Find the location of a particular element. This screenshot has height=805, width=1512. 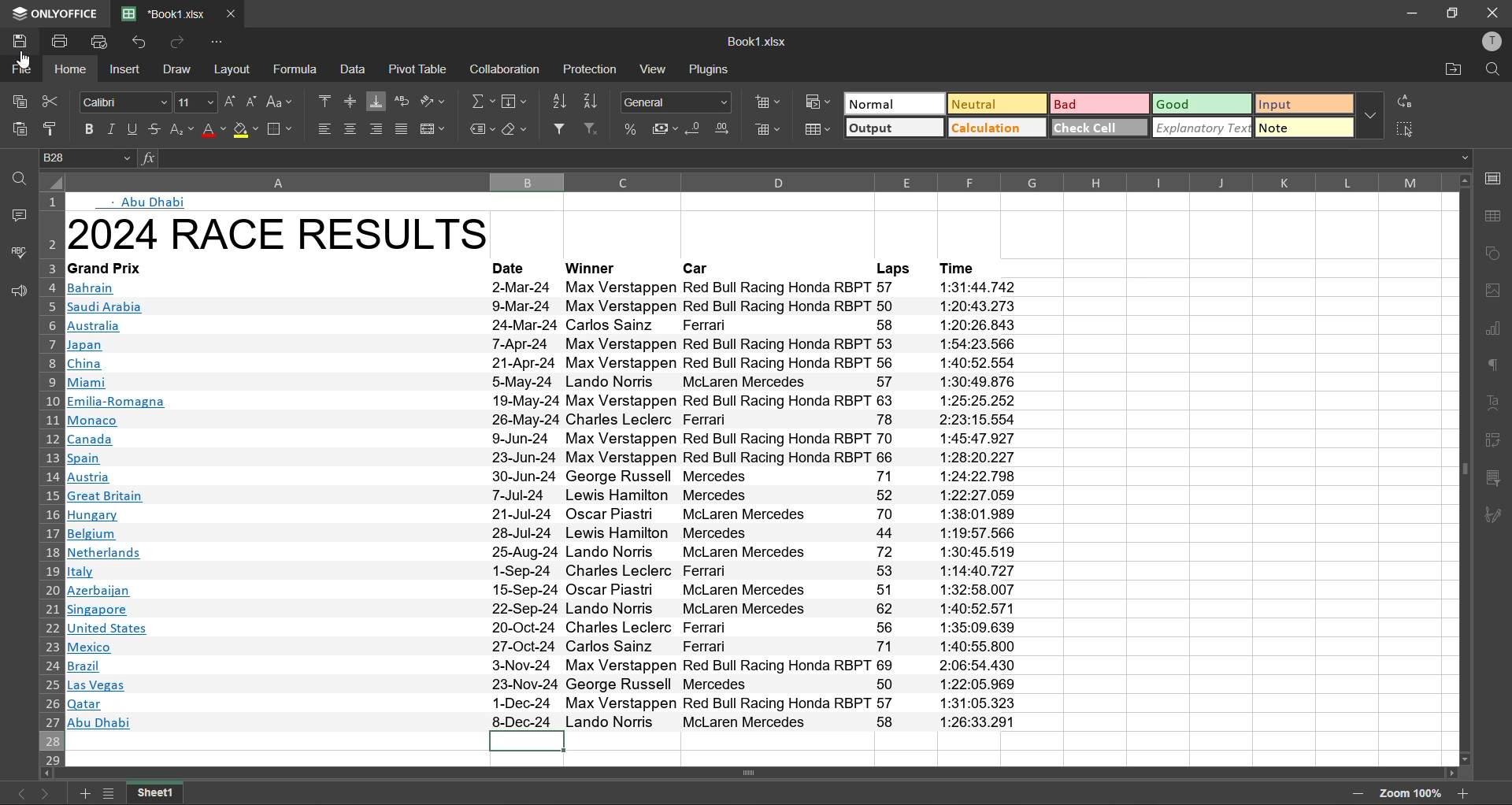

cell address is located at coordinates (90, 160).